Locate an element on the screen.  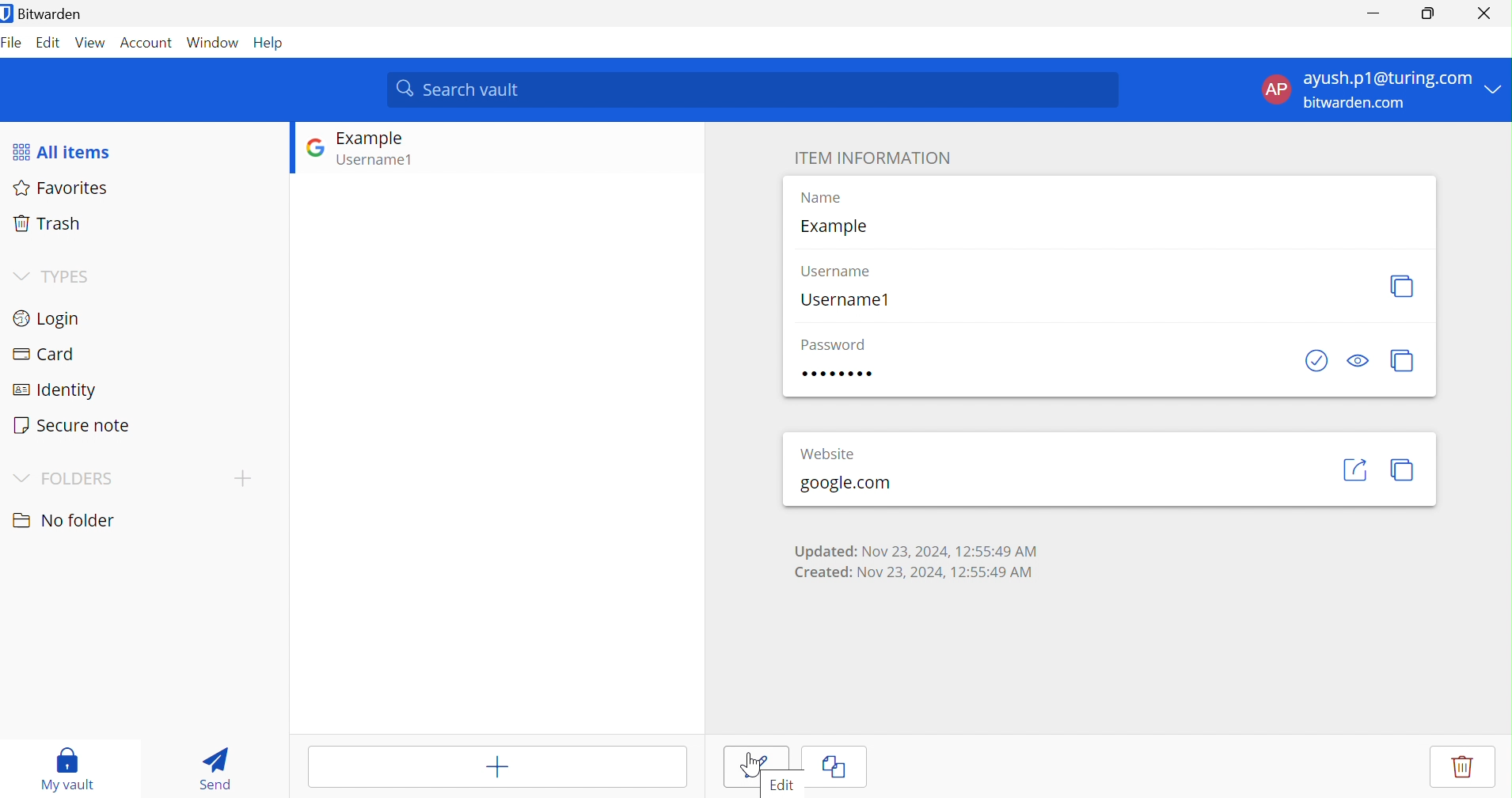
Toggle Visisbility is located at coordinates (1360, 361).